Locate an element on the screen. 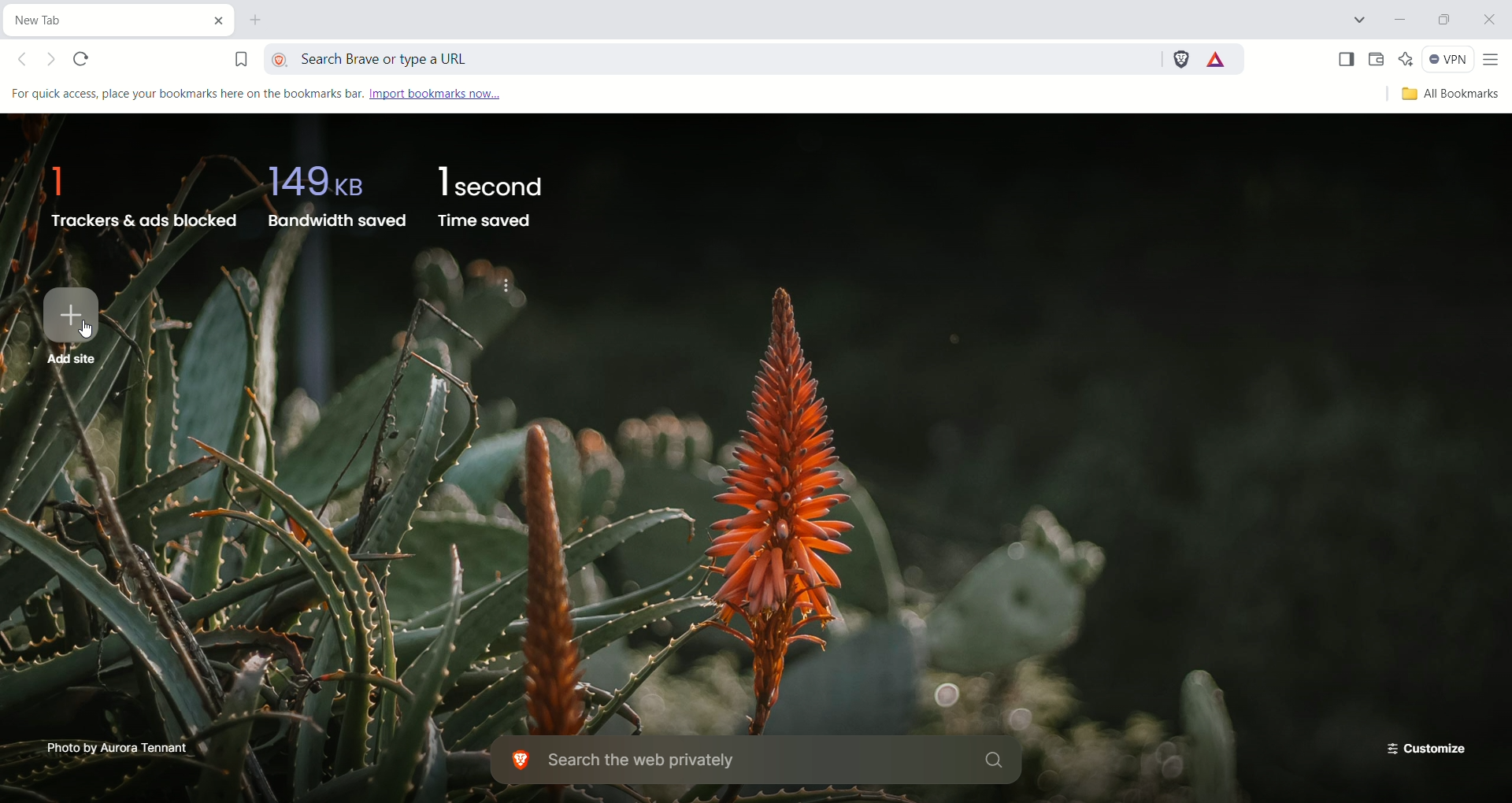  all bookmarks is located at coordinates (1447, 95).